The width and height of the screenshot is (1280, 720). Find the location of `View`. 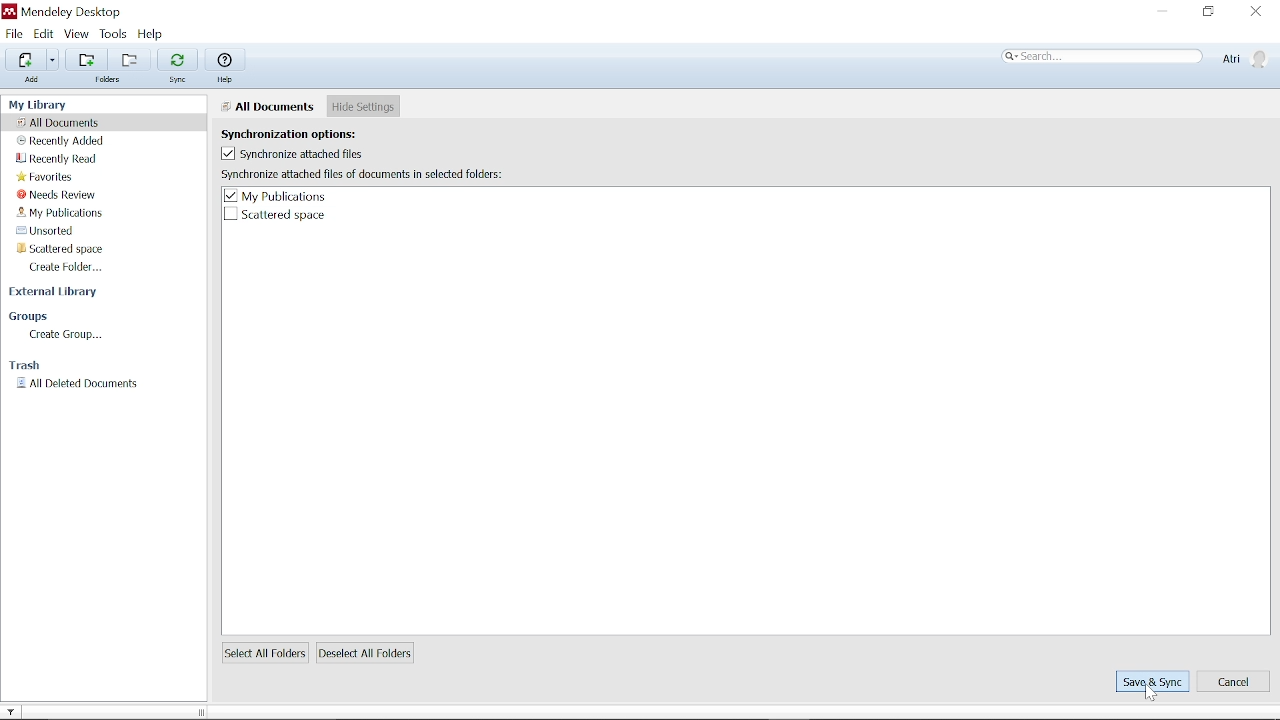

View is located at coordinates (78, 34).